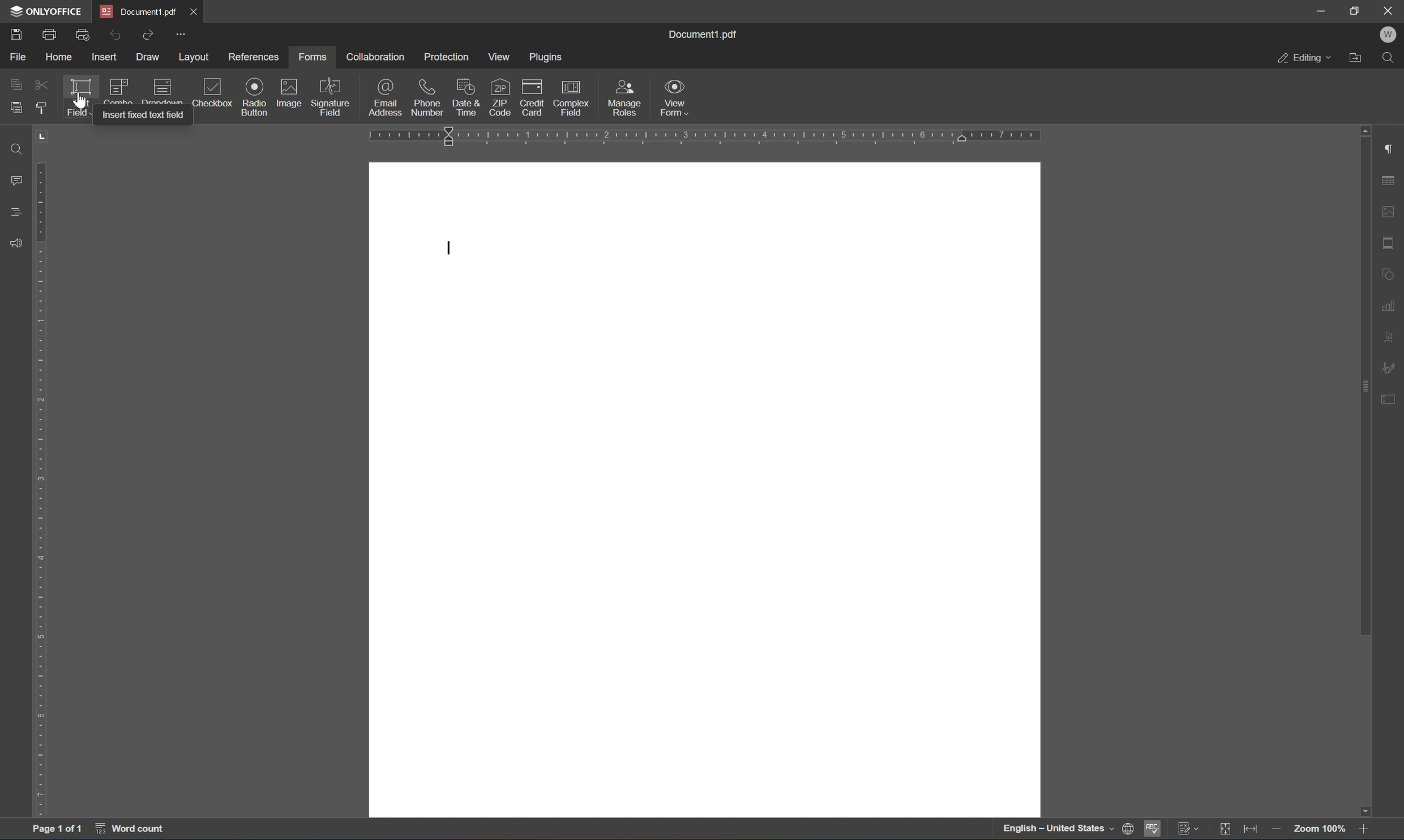 This screenshot has width=1404, height=840. What do you see at coordinates (121, 91) in the screenshot?
I see `combo box` at bounding box center [121, 91].